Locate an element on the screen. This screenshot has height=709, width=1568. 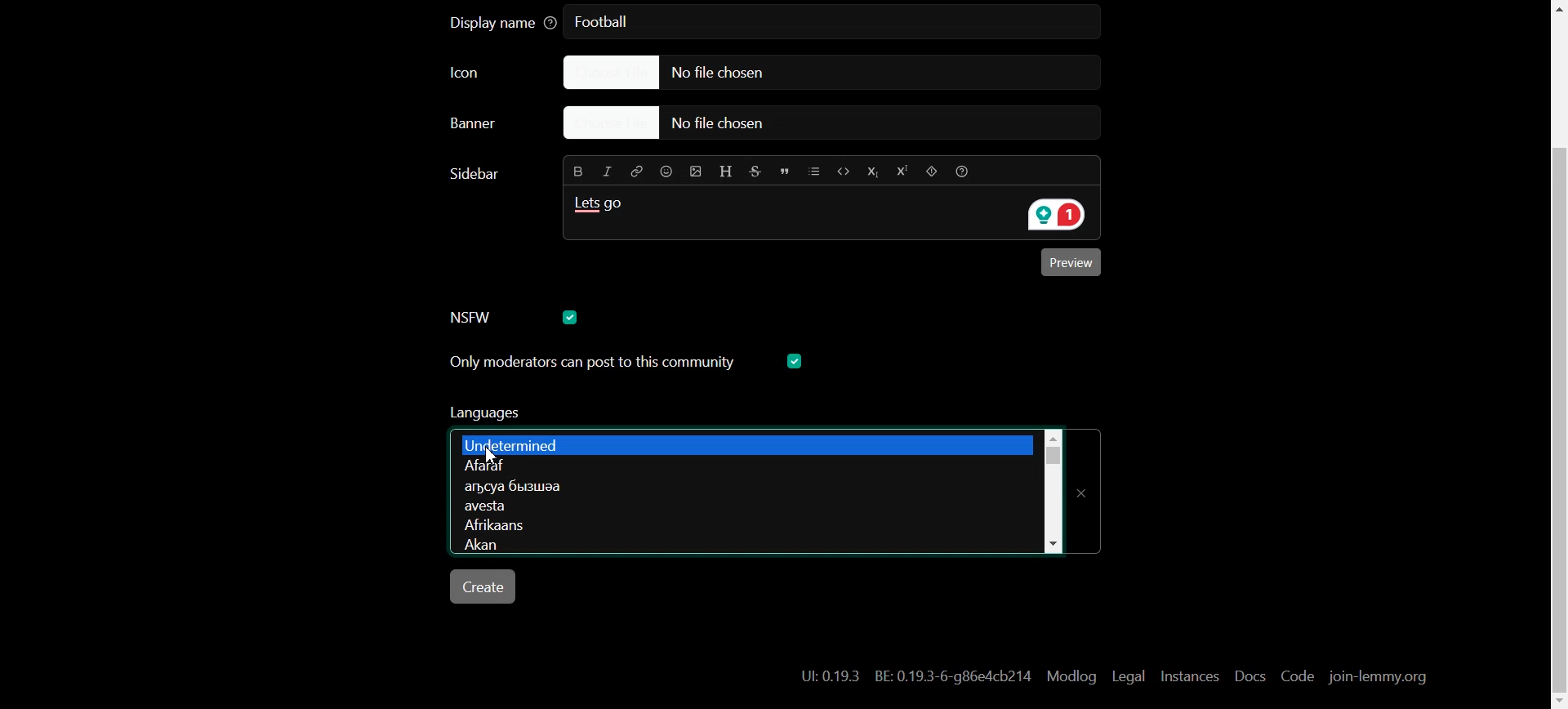
Icon  is located at coordinates (483, 74).